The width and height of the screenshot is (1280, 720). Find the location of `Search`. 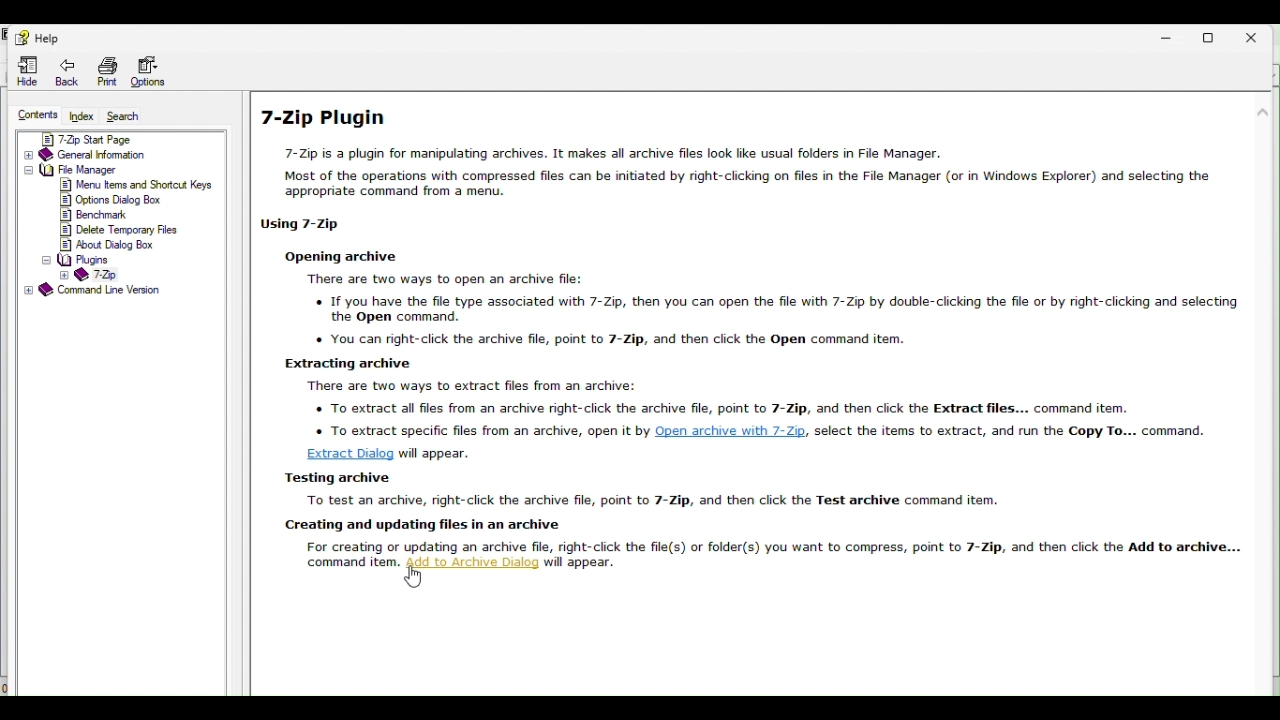

Search is located at coordinates (129, 117).